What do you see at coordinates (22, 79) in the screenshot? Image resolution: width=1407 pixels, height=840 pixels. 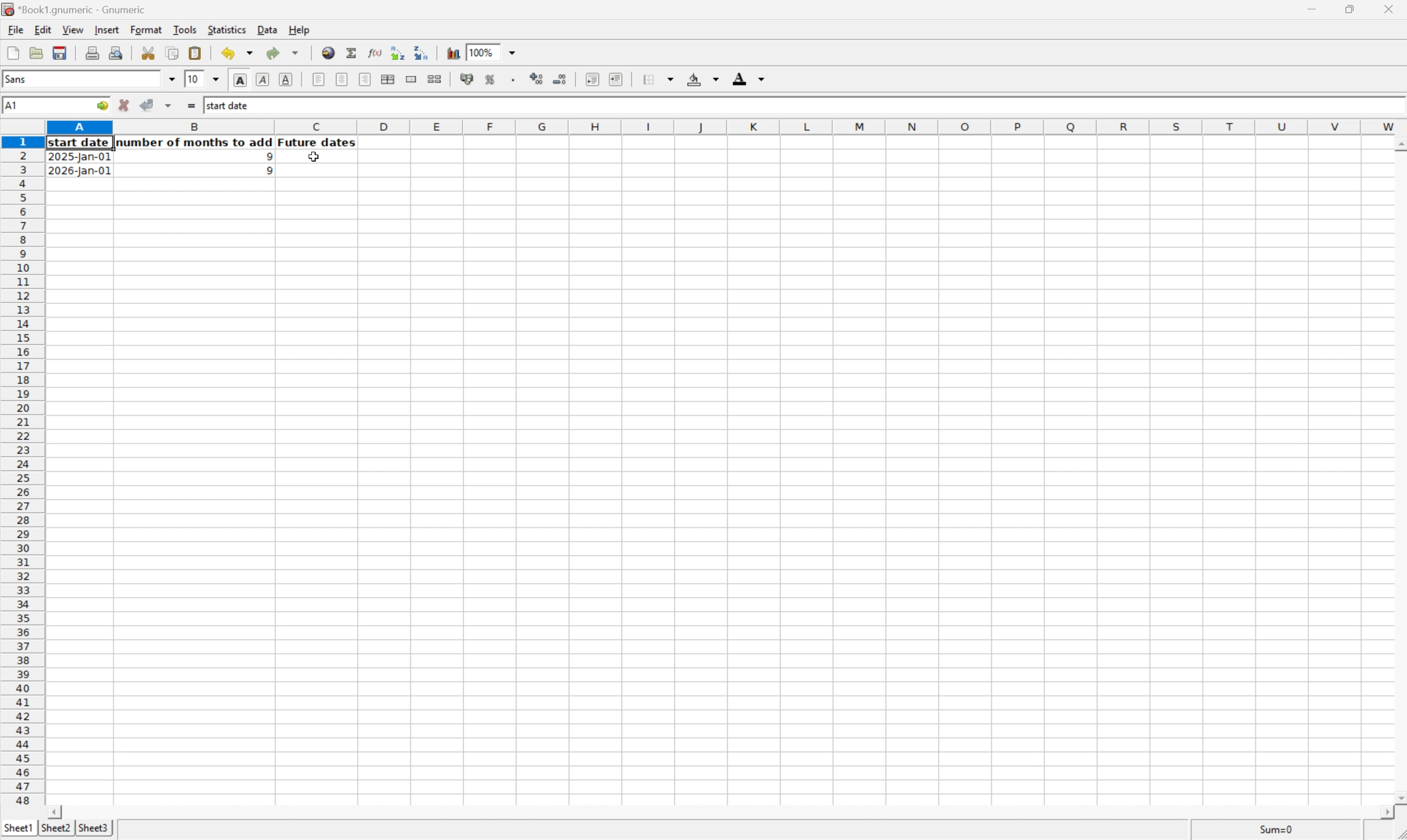 I see `Sans` at bounding box center [22, 79].